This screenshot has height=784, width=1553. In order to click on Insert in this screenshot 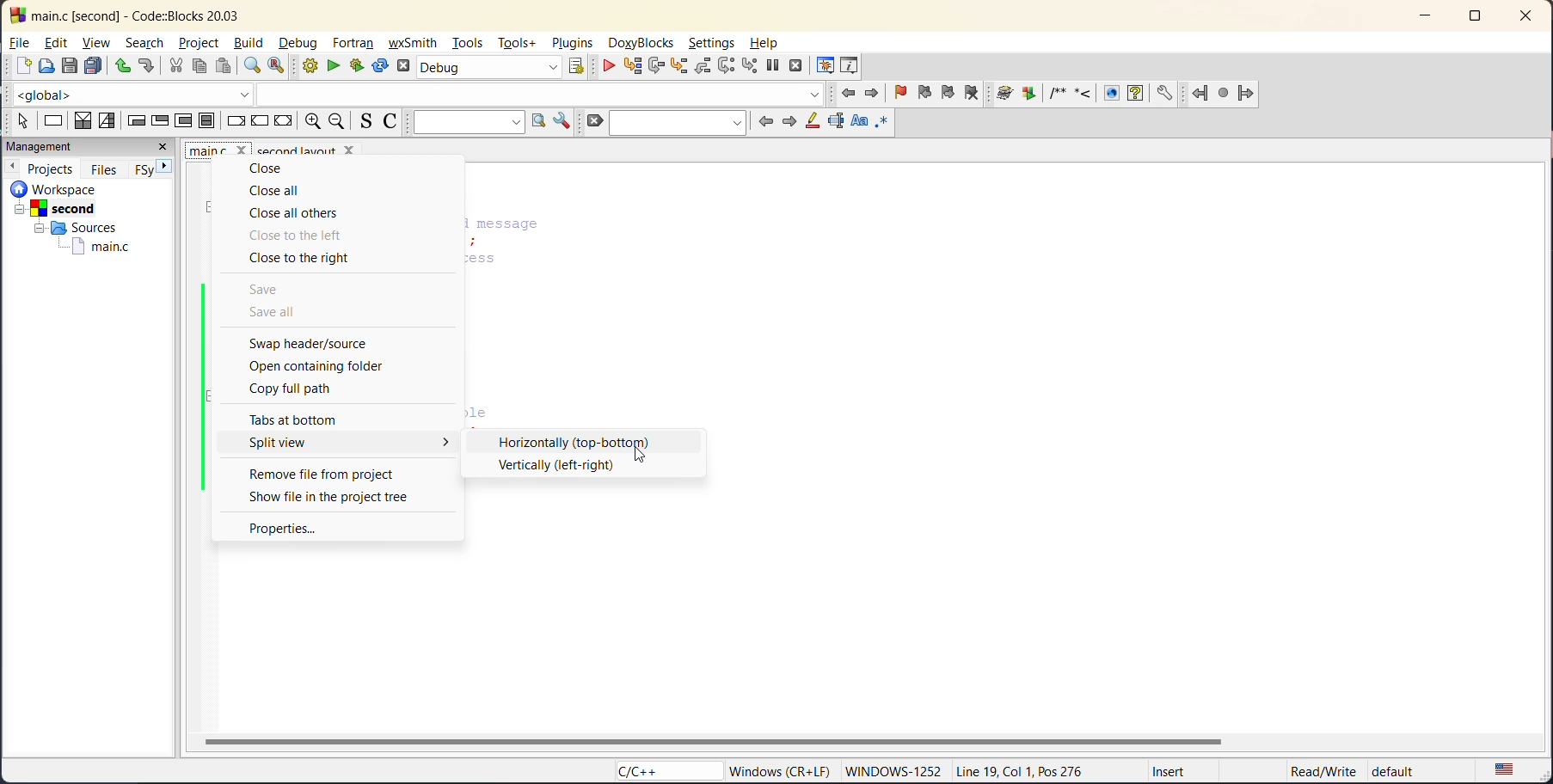, I will do `click(1172, 770)`.